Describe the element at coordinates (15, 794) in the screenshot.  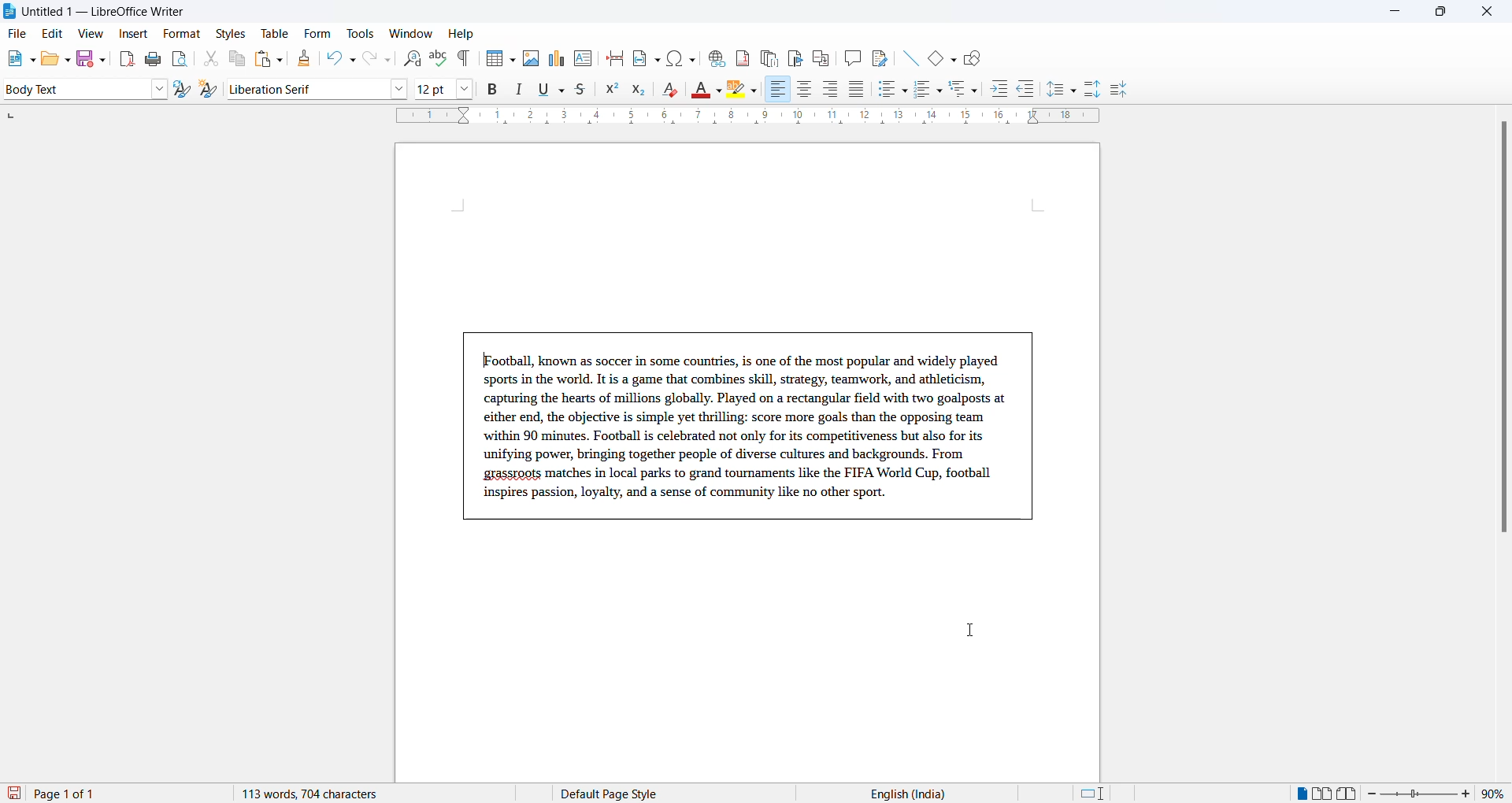
I see `save` at that location.